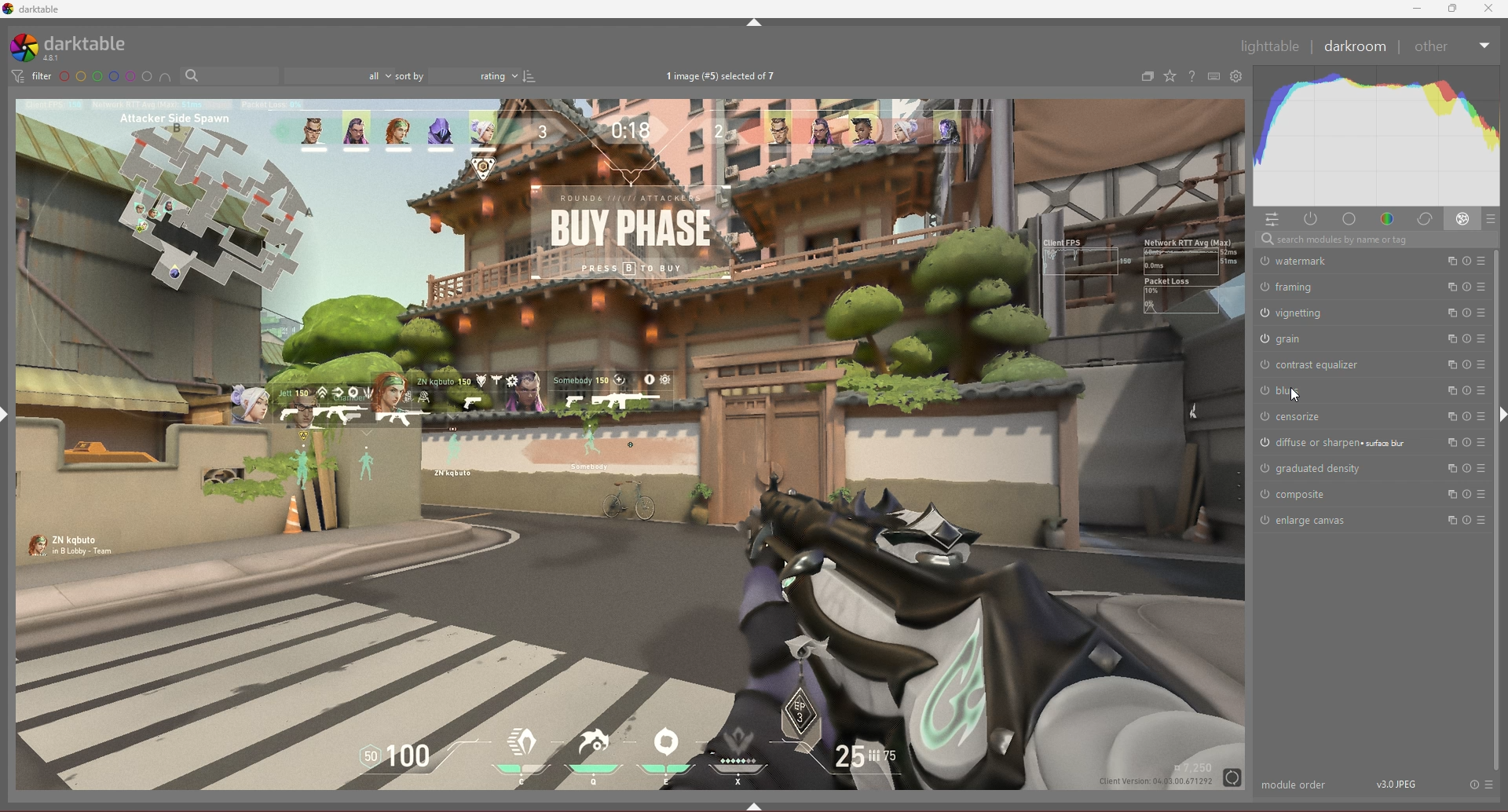 Image resolution: width=1508 pixels, height=812 pixels. What do you see at coordinates (1481, 519) in the screenshot?
I see `presets` at bounding box center [1481, 519].